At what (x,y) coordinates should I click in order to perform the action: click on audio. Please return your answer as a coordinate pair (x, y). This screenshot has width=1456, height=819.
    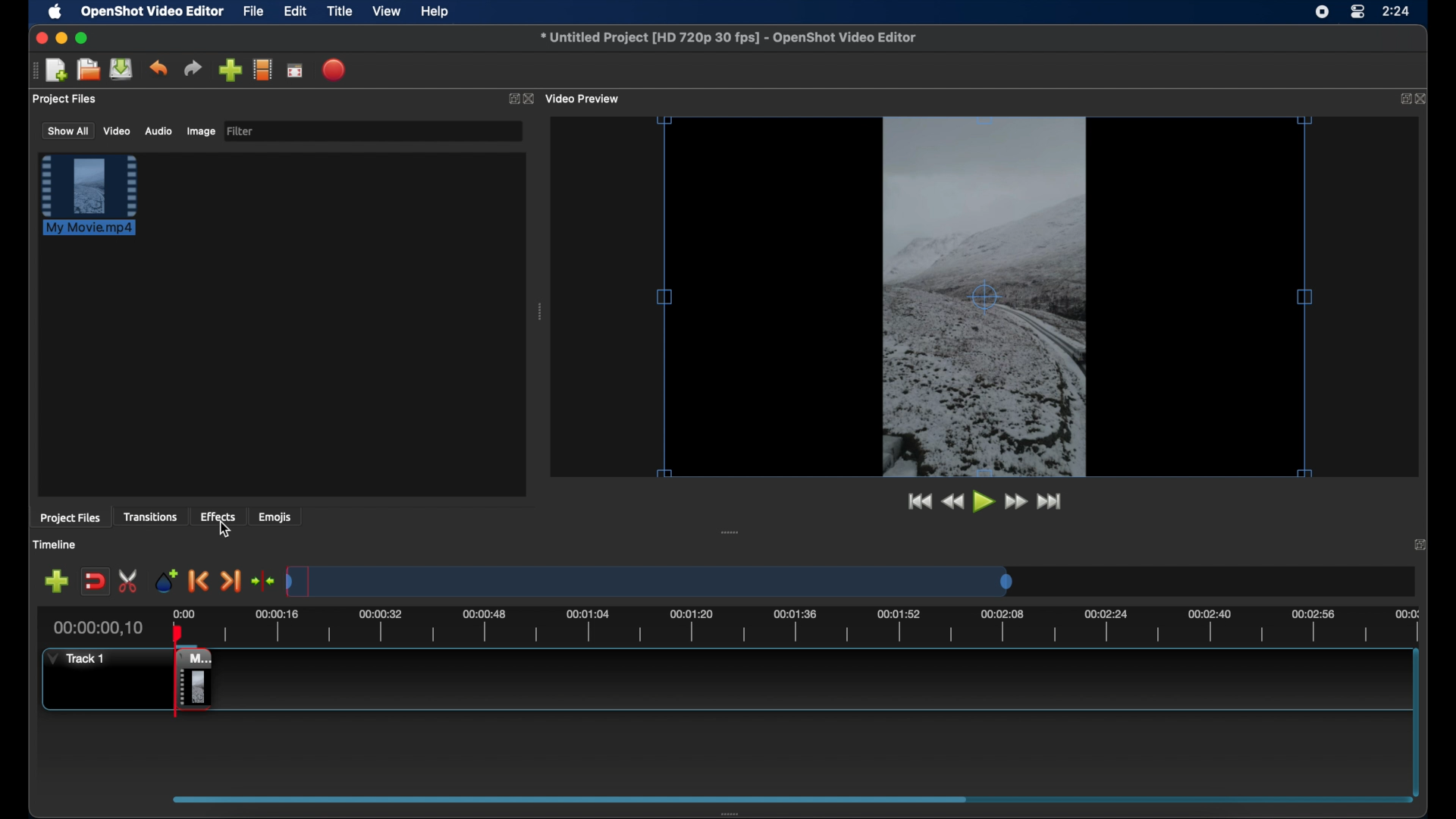
    Looking at the image, I should click on (159, 131).